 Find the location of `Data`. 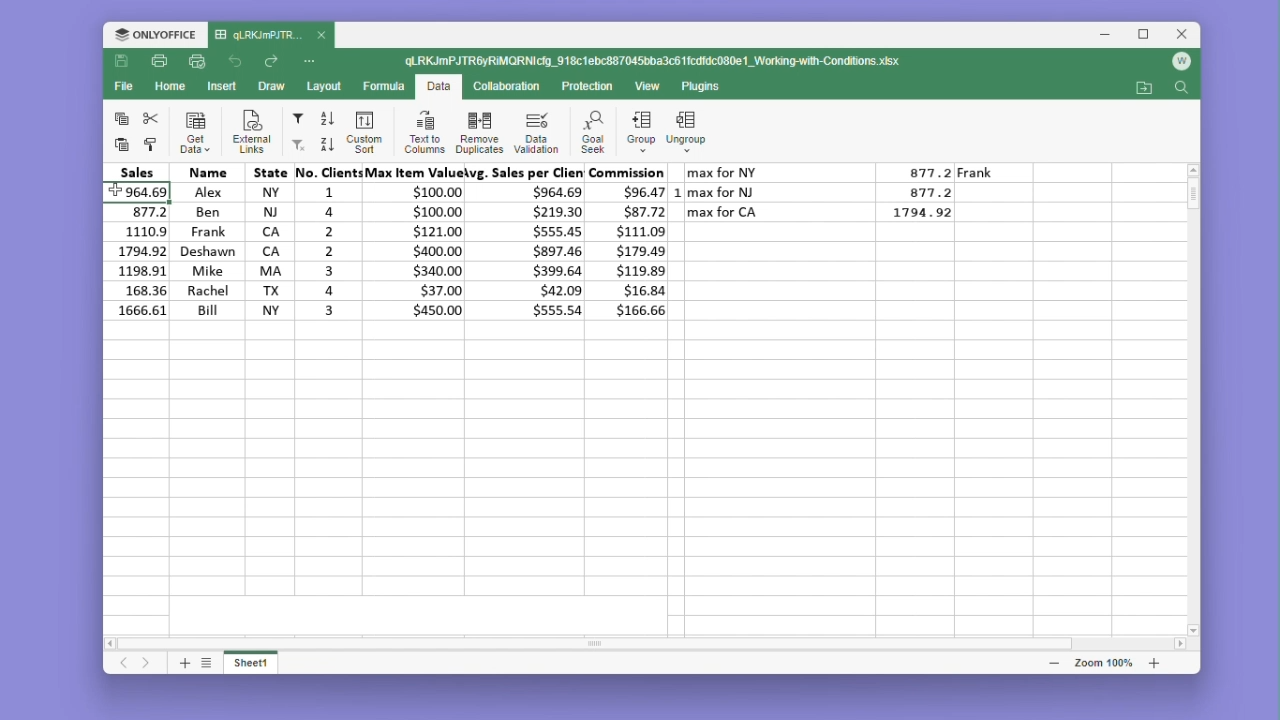

Data is located at coordinates (423, 250).